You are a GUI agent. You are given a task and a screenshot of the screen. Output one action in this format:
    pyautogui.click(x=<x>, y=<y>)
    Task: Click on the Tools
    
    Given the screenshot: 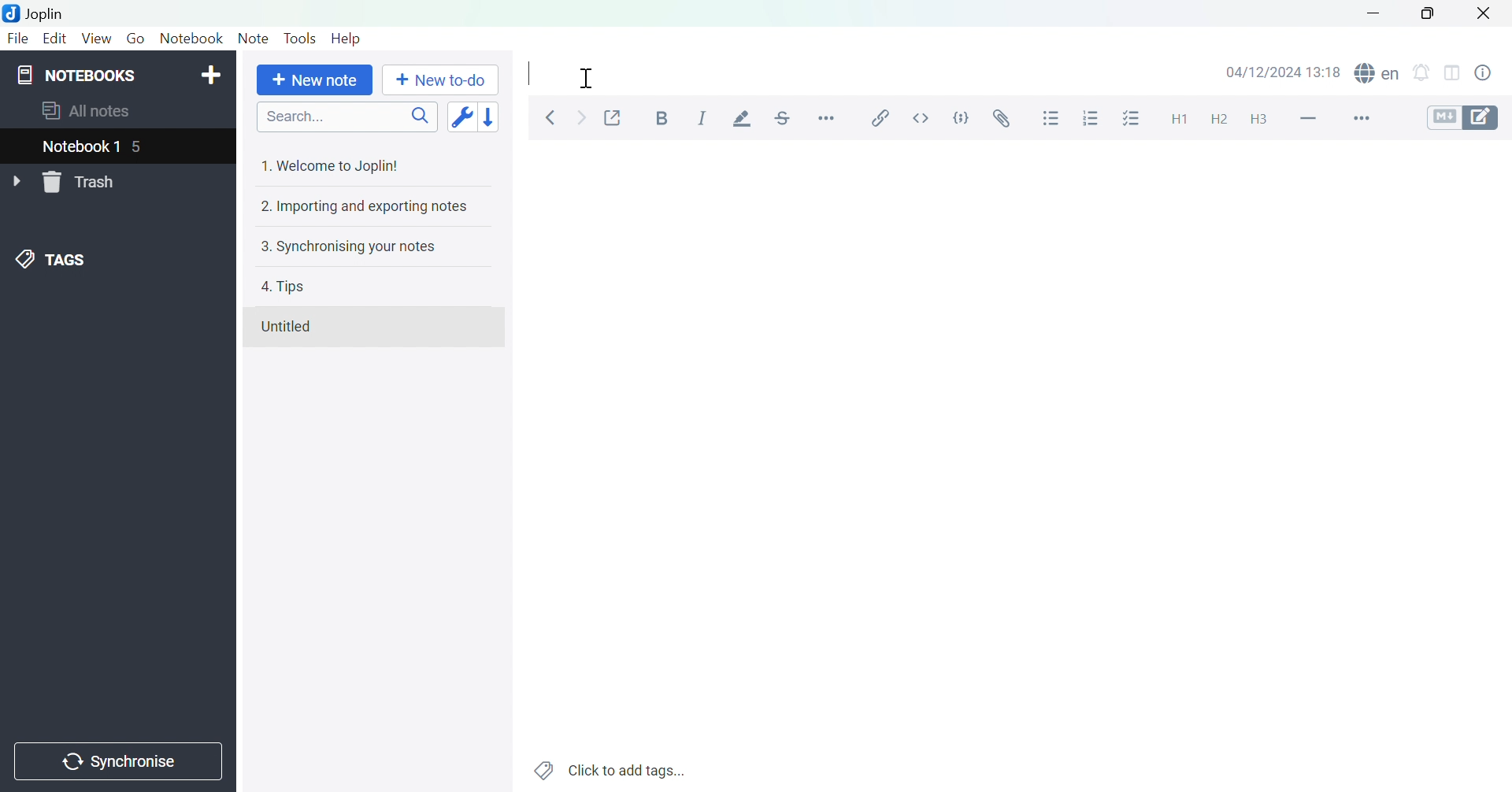 What is the action you would take?
    pyautogui.click(x=302, y=37)
    